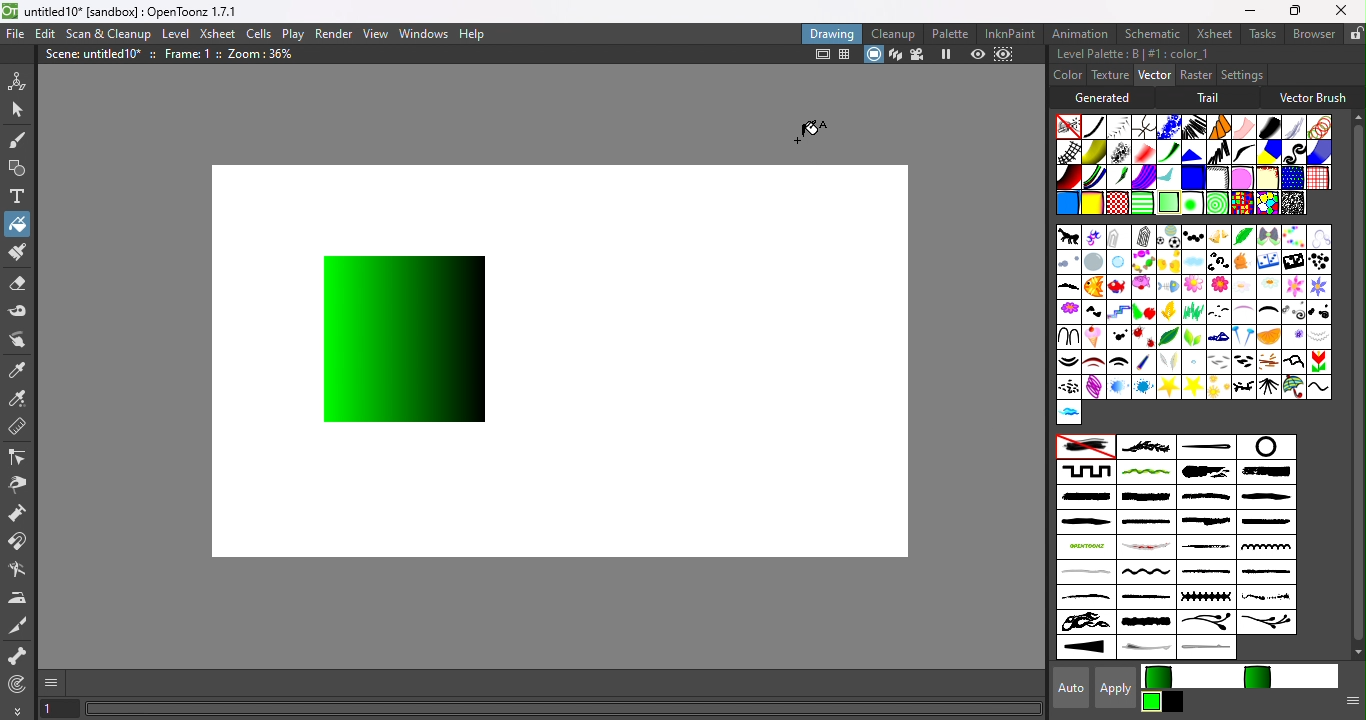  I want to click on medium_brush4, so click(1146, 523).